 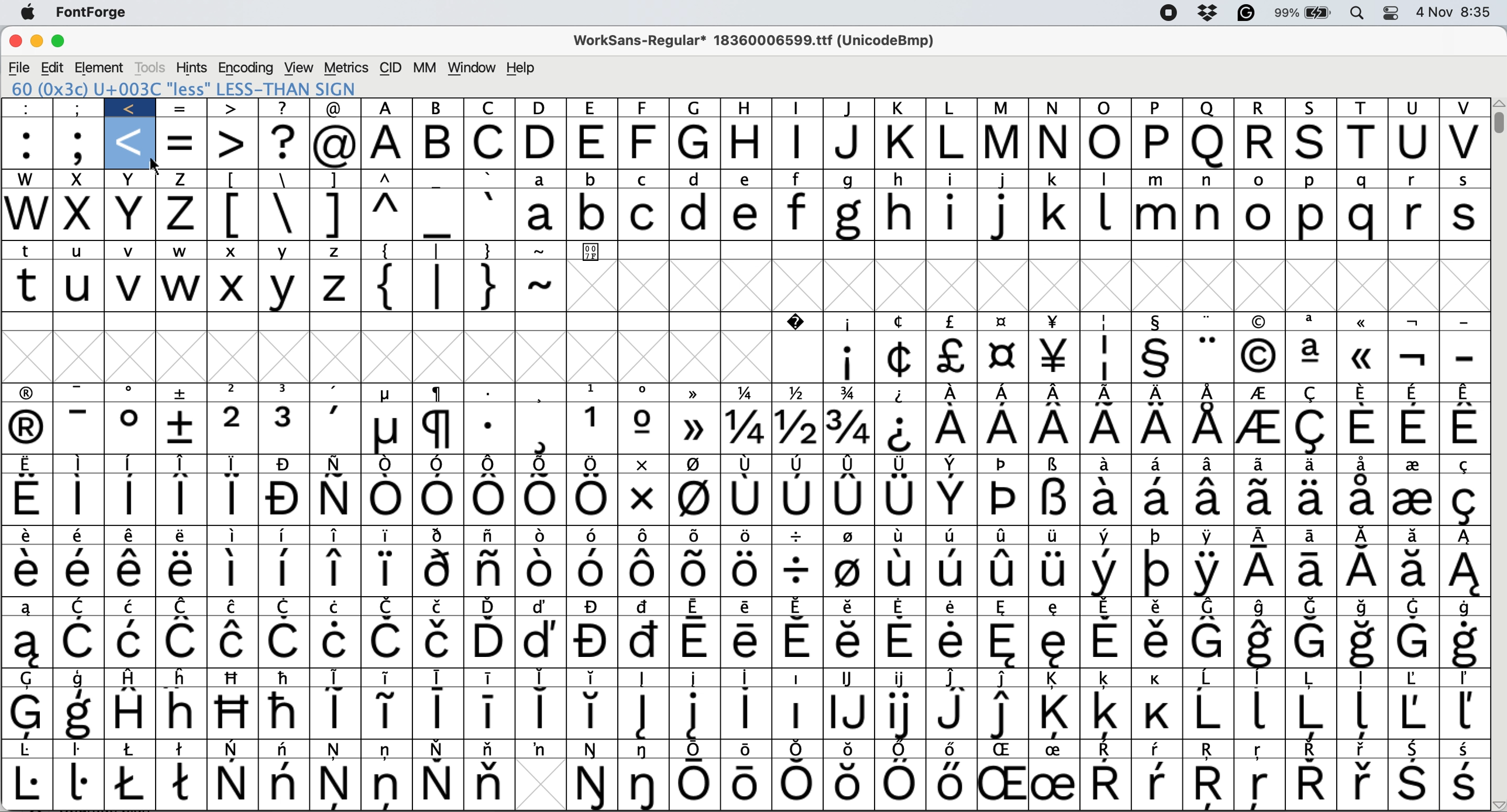 What do you see at coordinates (247, 67) in the screenshot?
I see `encoding` at bounding box center [247, 67].